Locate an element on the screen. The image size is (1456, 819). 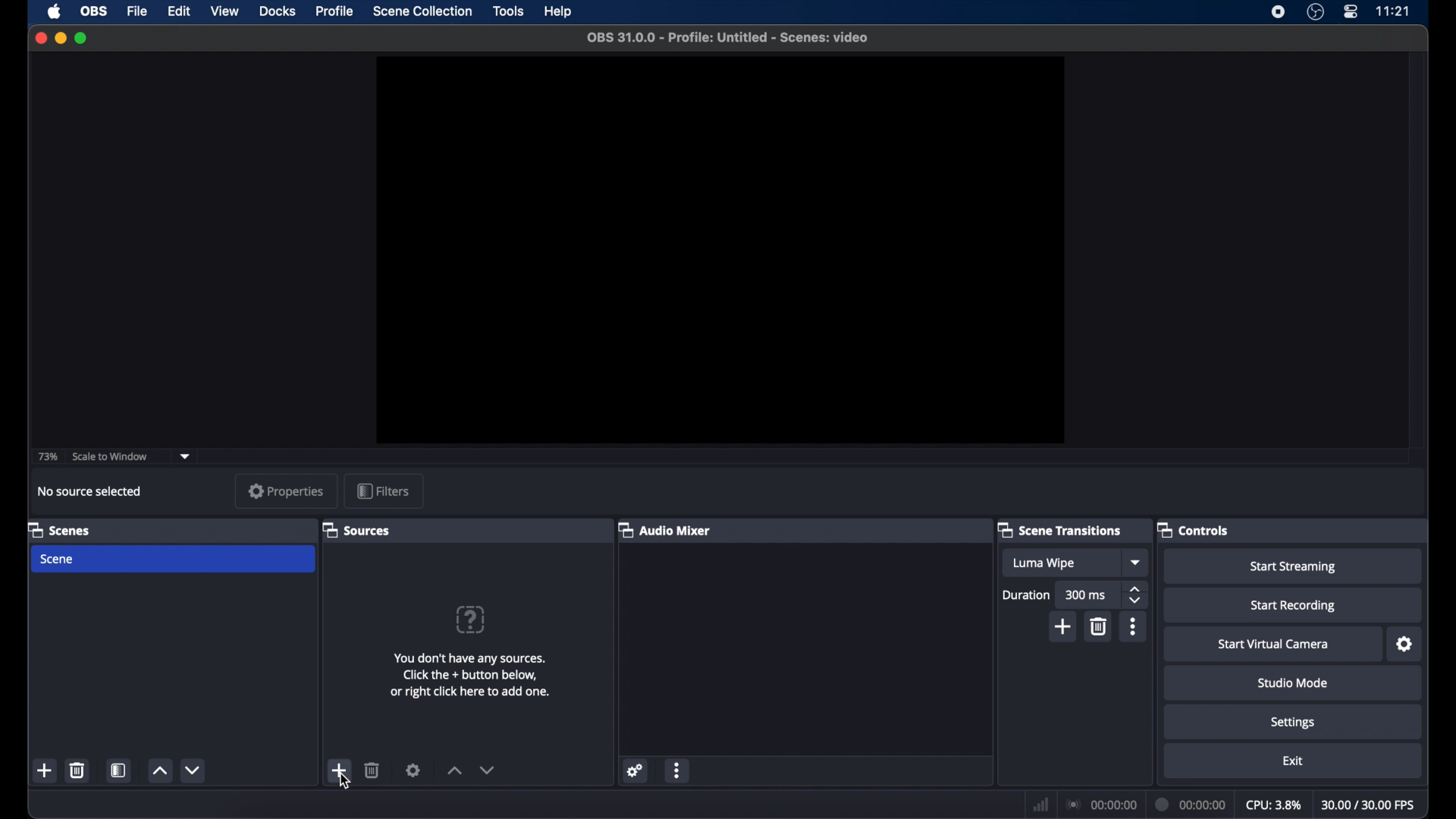
scene collection is located at coordinates (422, 11).